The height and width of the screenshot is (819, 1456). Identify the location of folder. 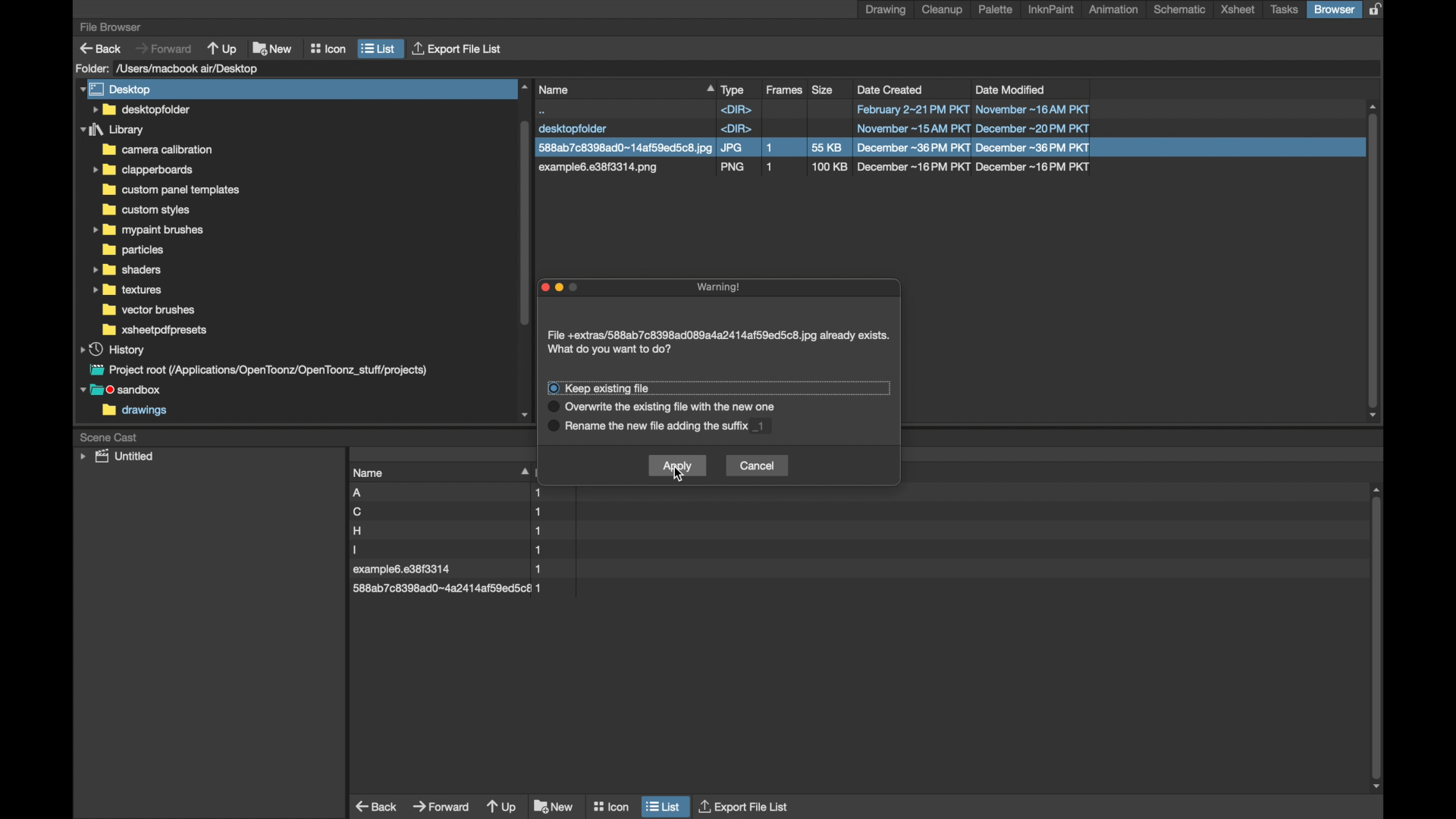
(156, 149).